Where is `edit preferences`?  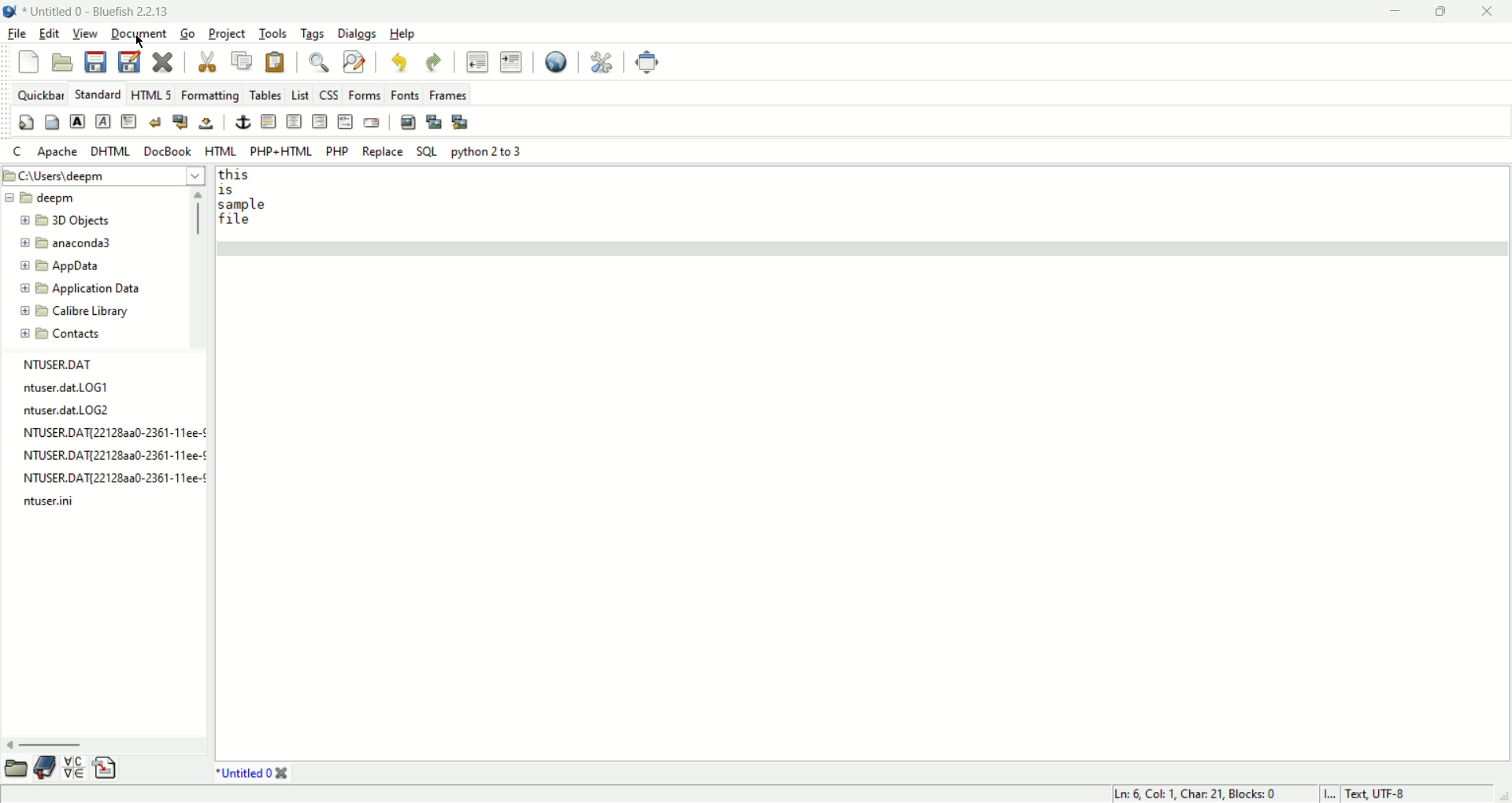
edit preferences is located at coordinates (602, 61).